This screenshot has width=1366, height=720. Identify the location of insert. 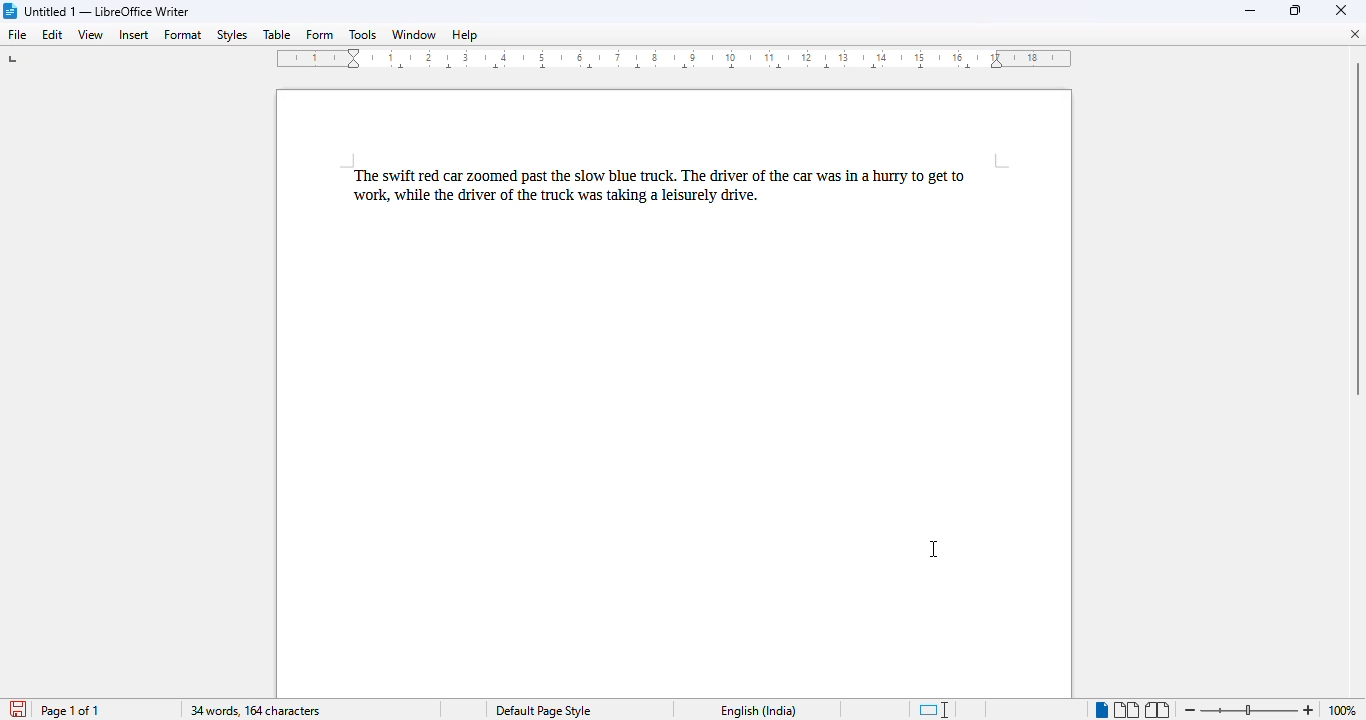
(133, 35).